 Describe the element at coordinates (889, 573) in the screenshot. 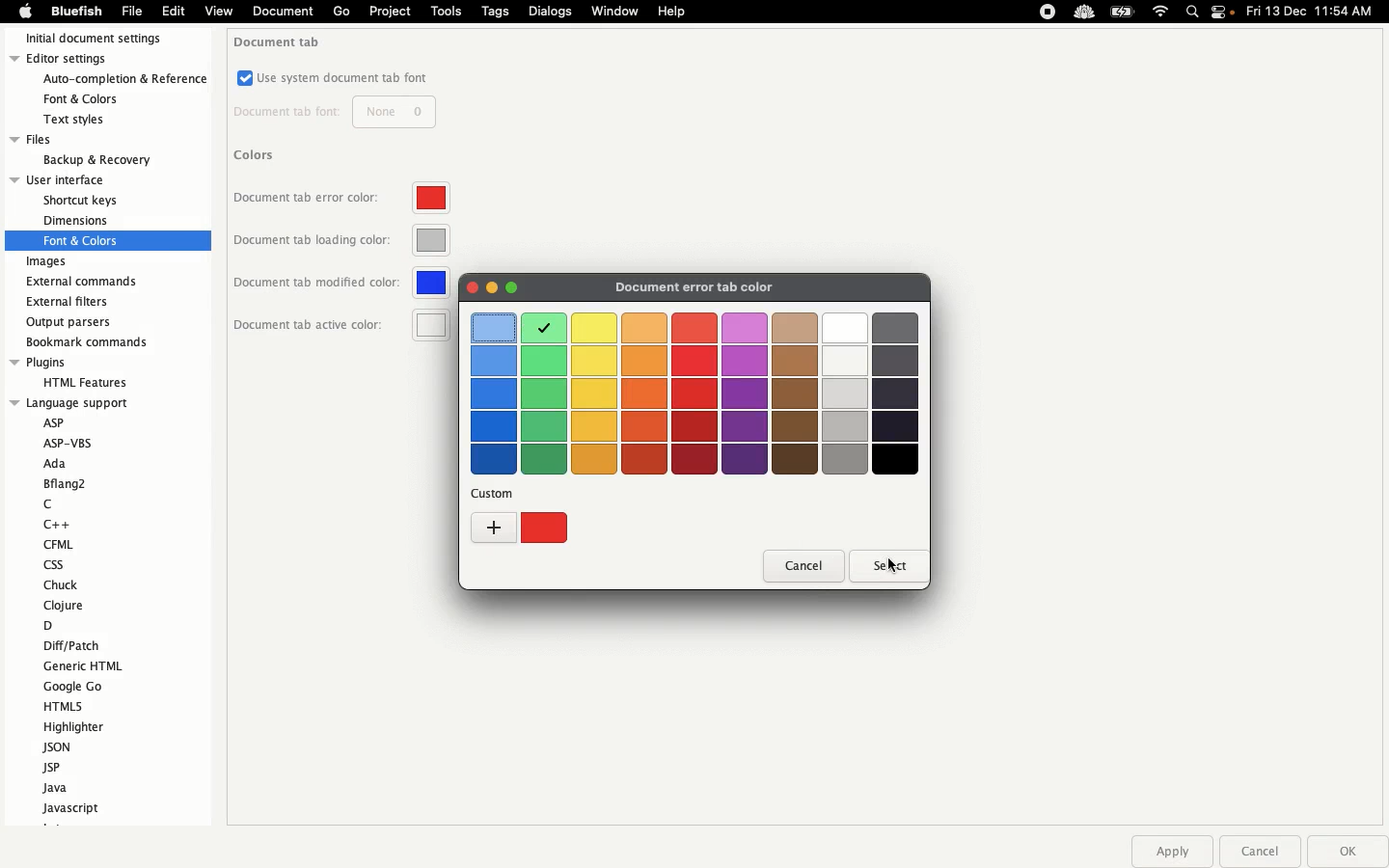

I see `cursor` at that location.